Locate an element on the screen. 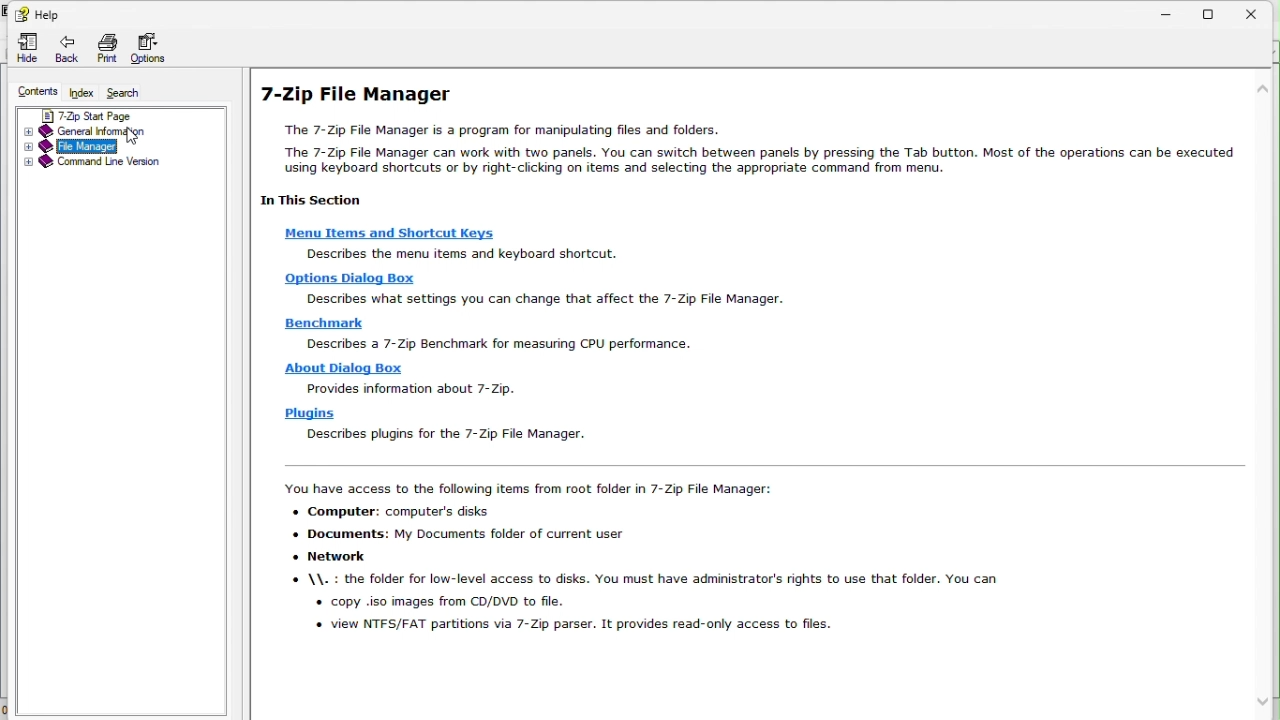 The width and height of the screenshot is (1280, 720). benchmark is located at coordinates (327, 323).